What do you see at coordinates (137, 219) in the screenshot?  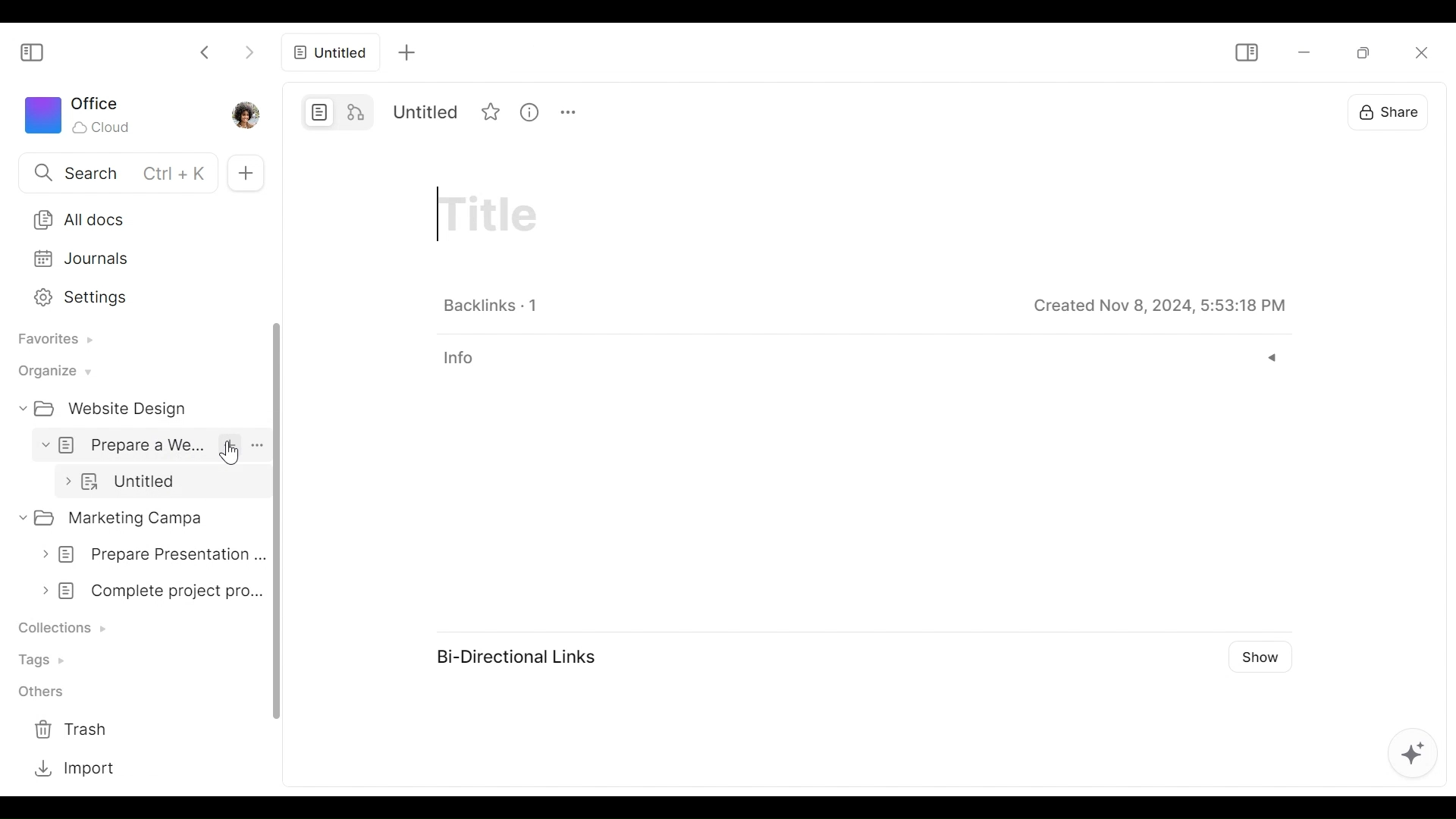 I see `All Documents` at bounding box center [137, 219].